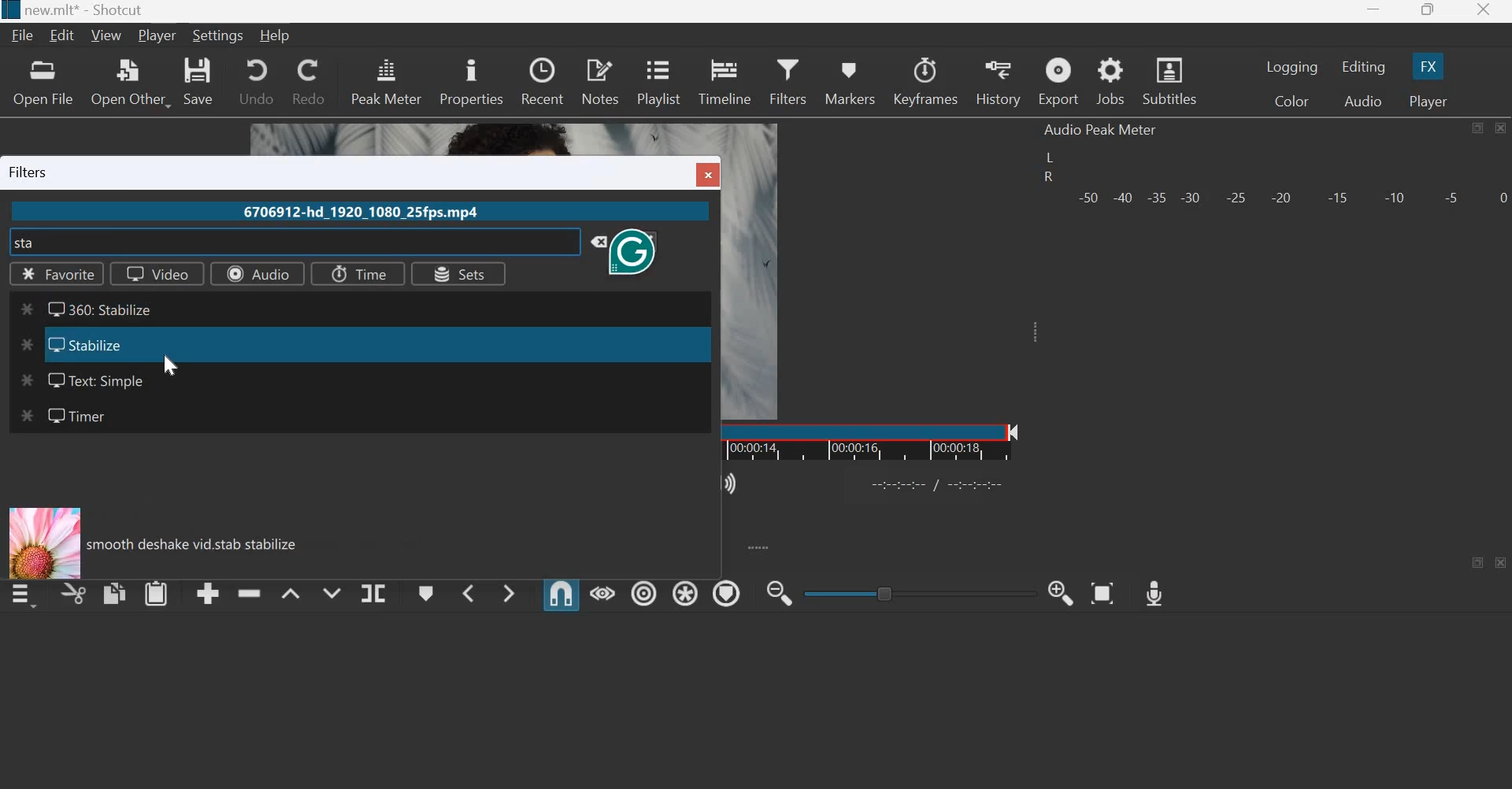 The height and width of the screenshot is (789, 1512). What do you see at coordinates (22, 598) in the screenshot?
I see `timeline menu ` at bounding box center [22, 598].